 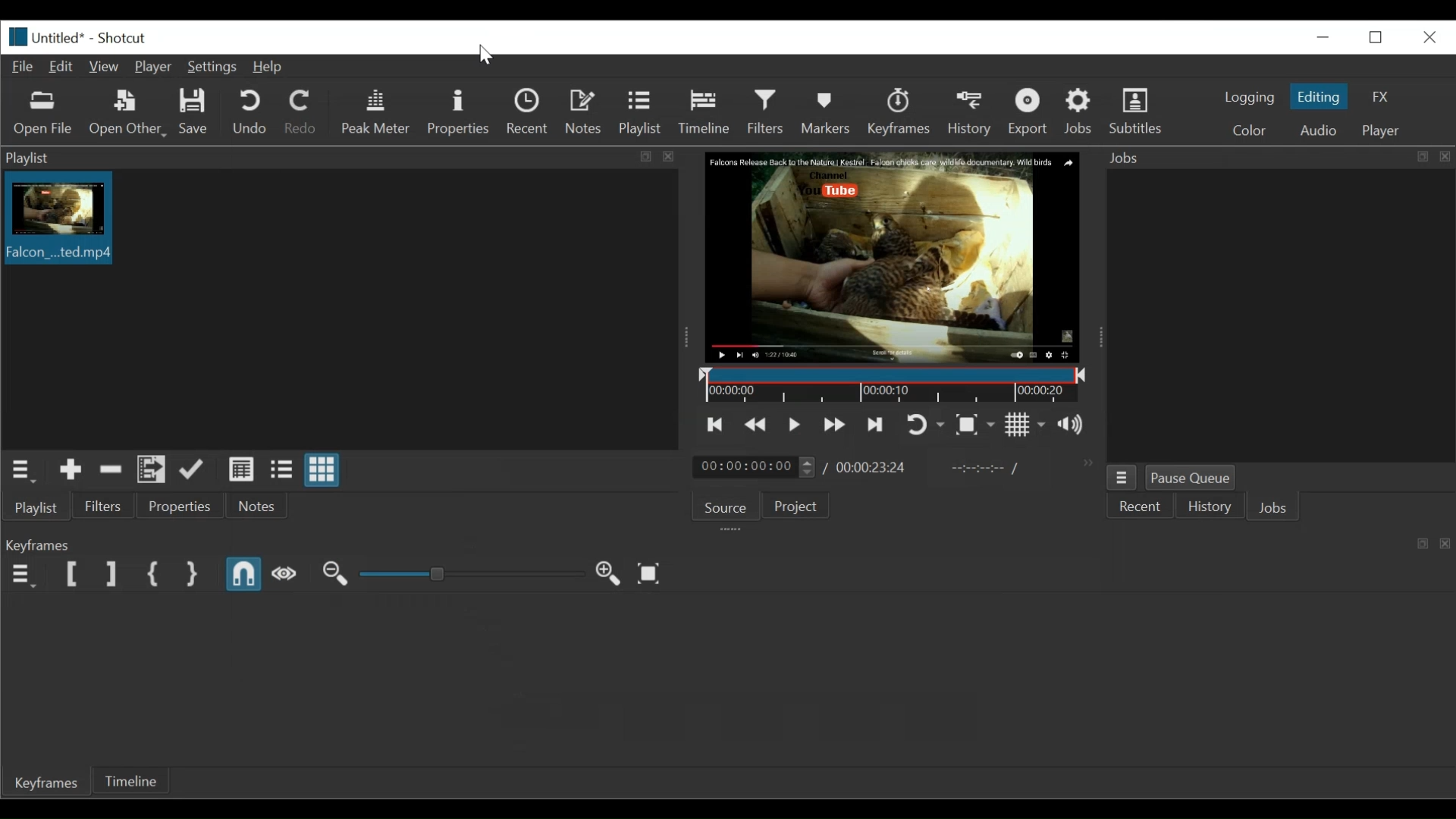 What do you see at coordinates (1140, 507) in the screenshot?
I see `Recent` at bounding box center [1140, 507].